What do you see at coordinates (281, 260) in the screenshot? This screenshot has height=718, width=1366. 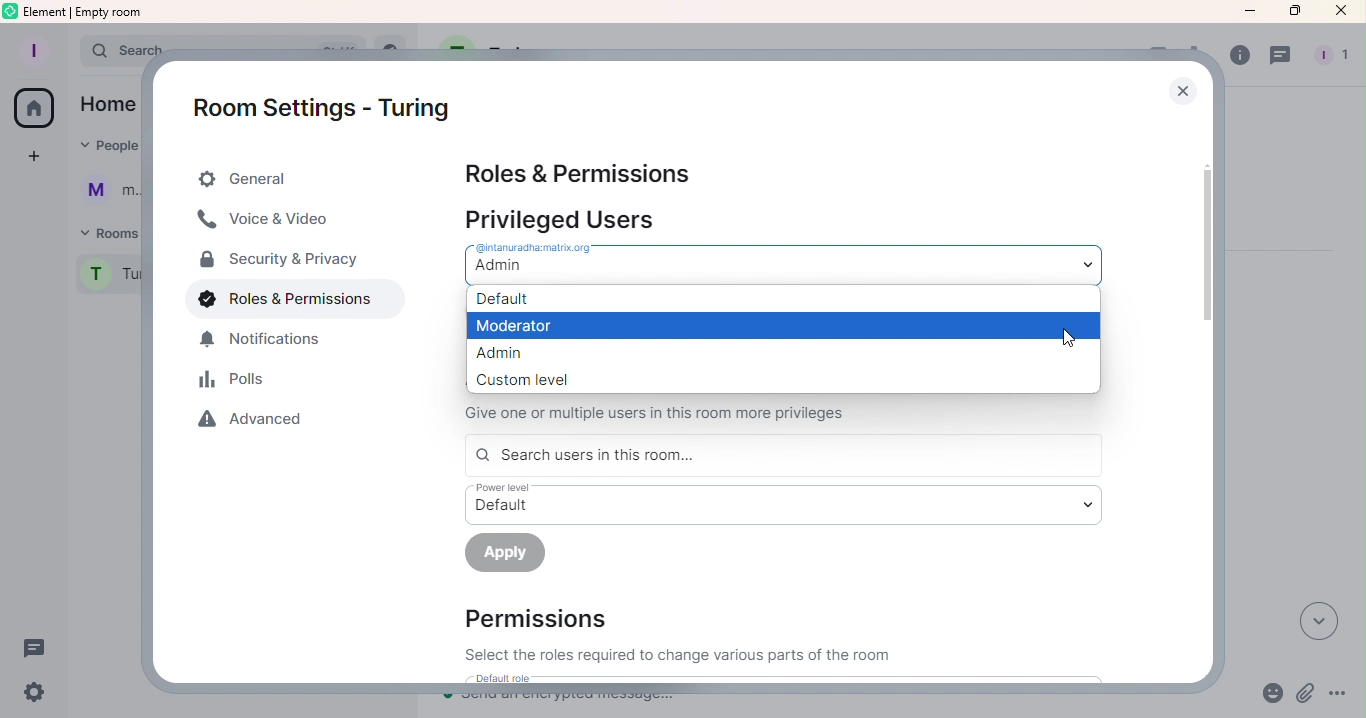 I see `Security & Privacy` at bounding box center [281, 260].